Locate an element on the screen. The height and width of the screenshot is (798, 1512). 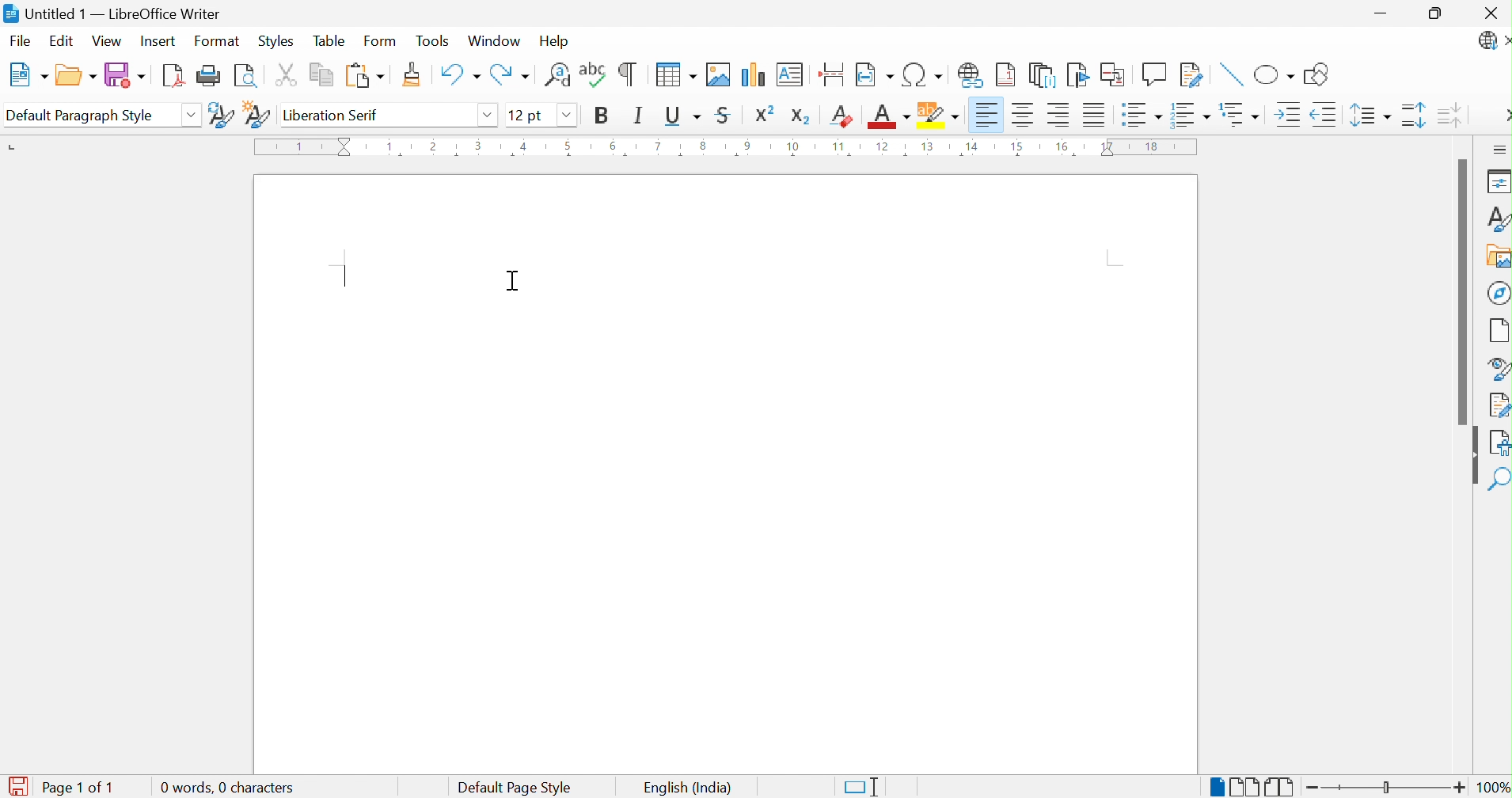
Insert Chart is located at coordinates (752, 74).